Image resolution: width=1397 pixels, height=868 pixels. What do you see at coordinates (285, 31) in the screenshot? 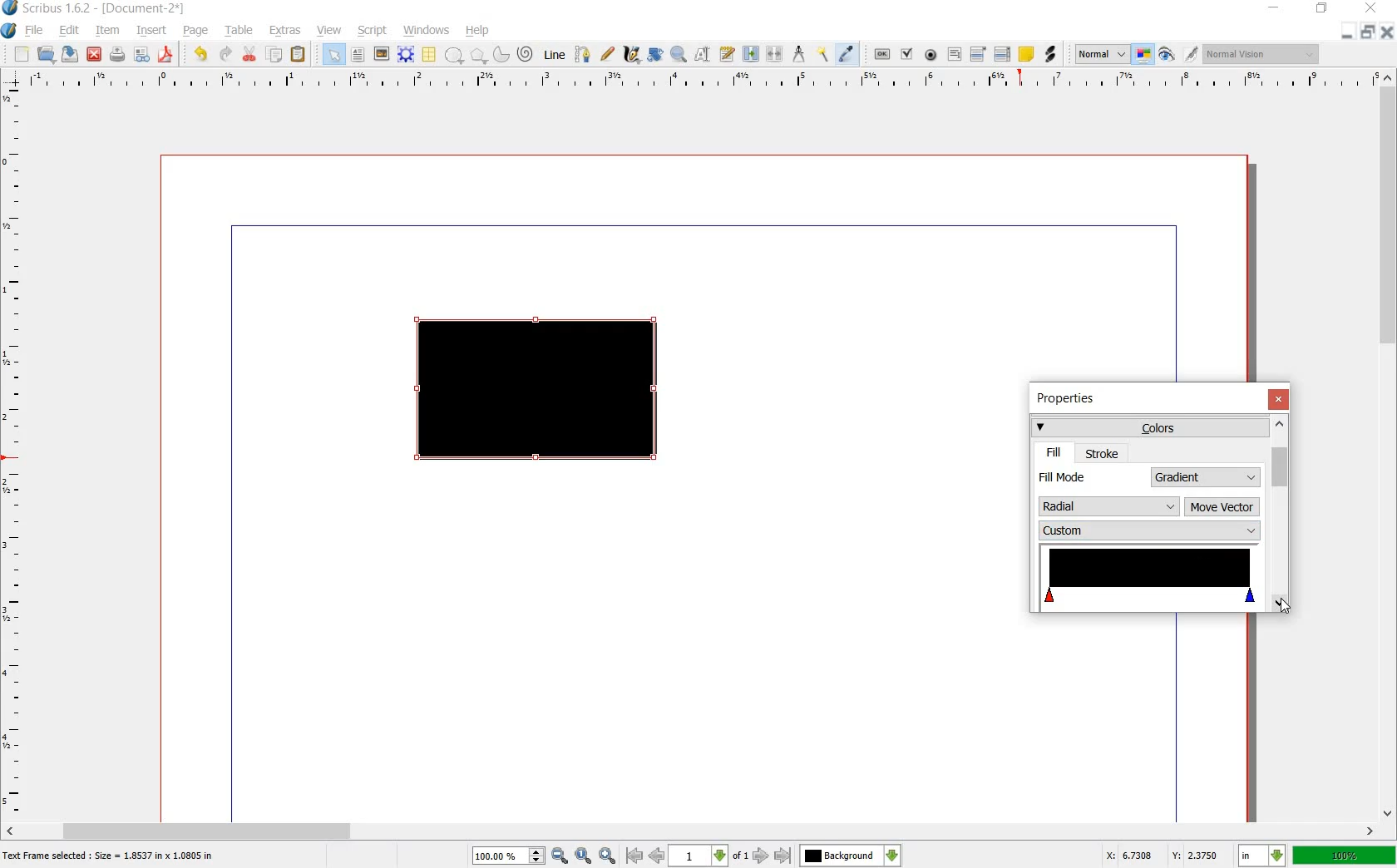
I see `extras` at bounding box center [285, 31].